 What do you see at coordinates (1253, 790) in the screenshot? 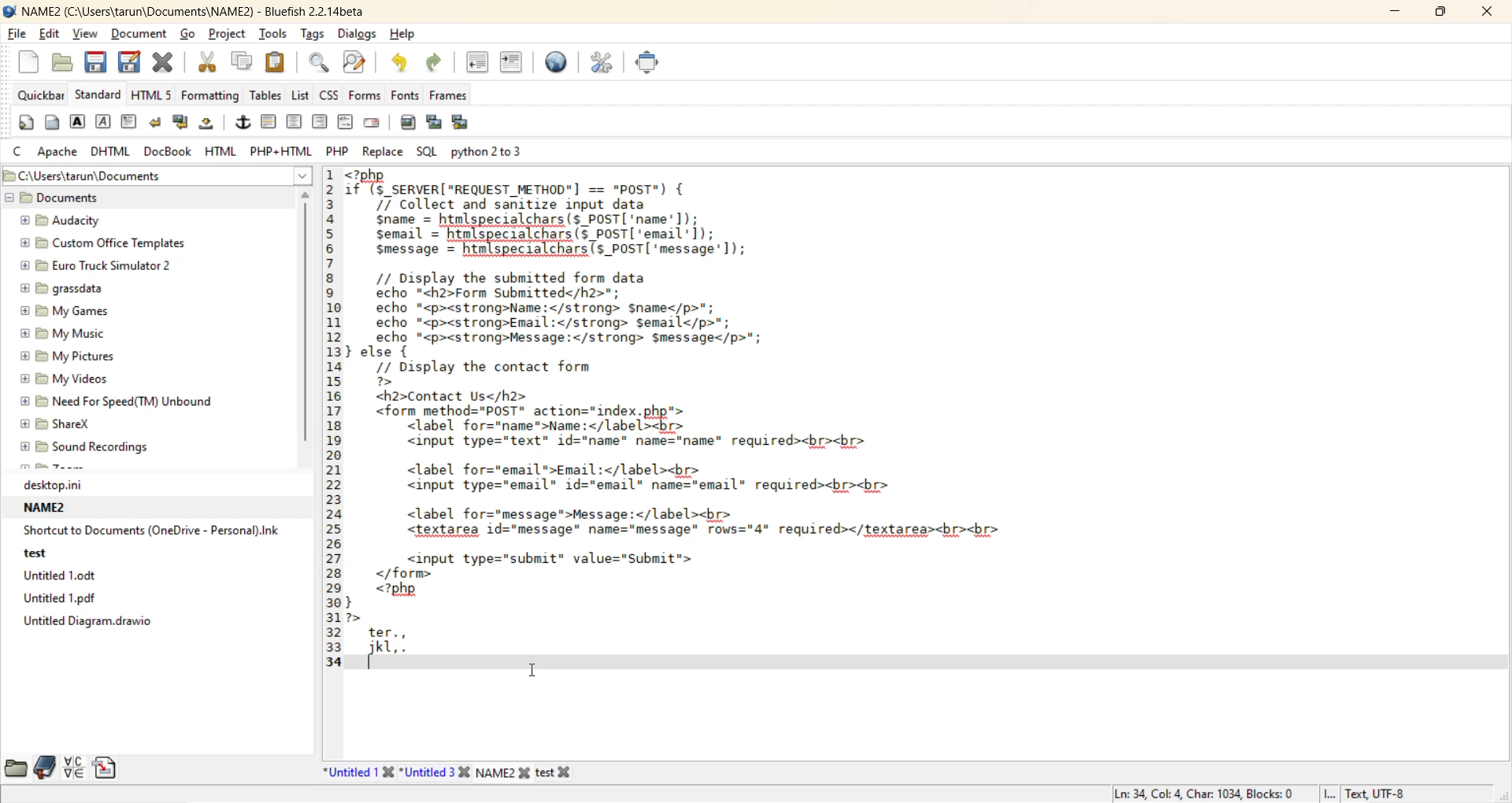
I see `metadata` at bounding box center [1253, 790].